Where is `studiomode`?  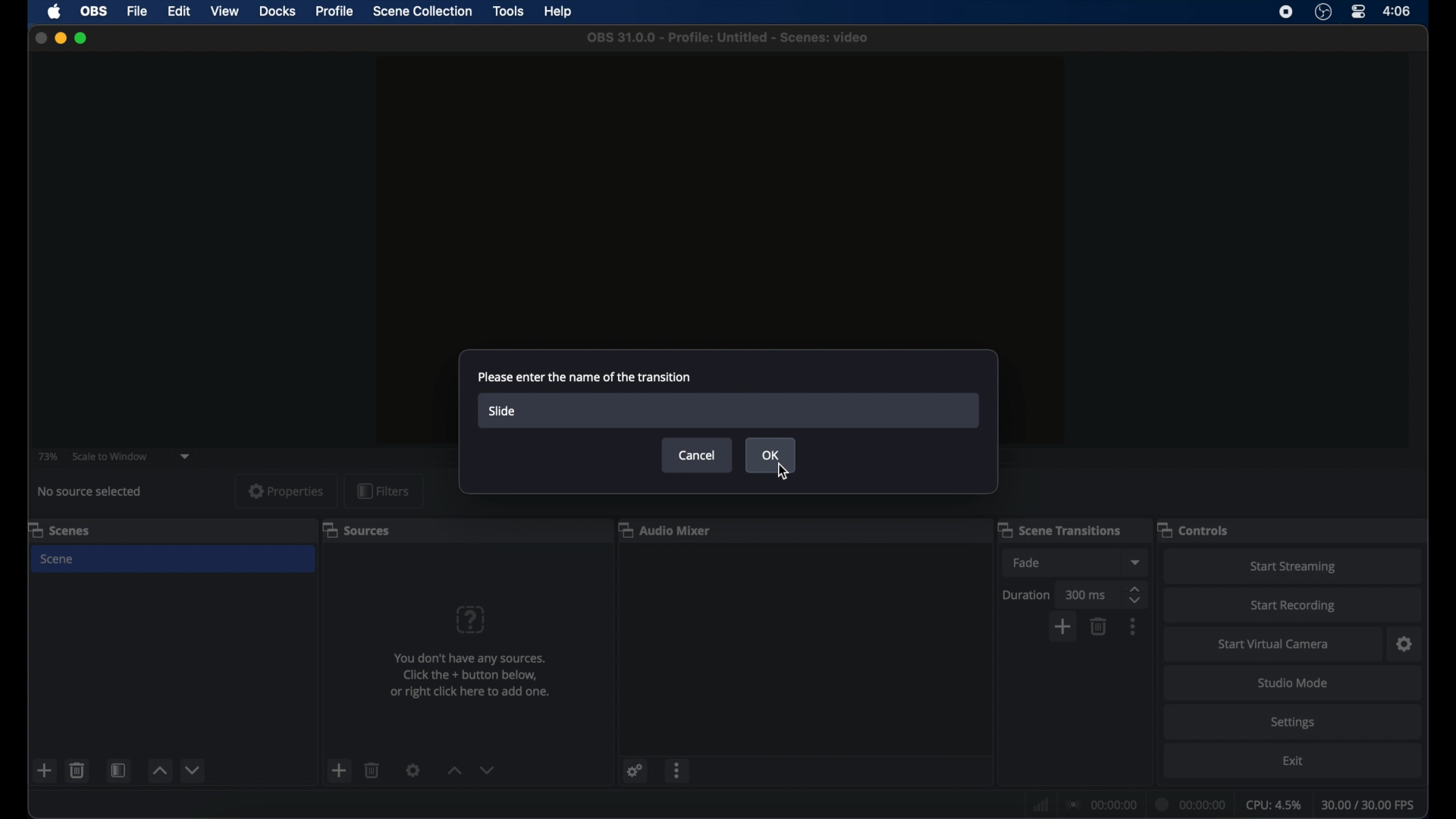
studiomode is located at coordinates (1294, 684).